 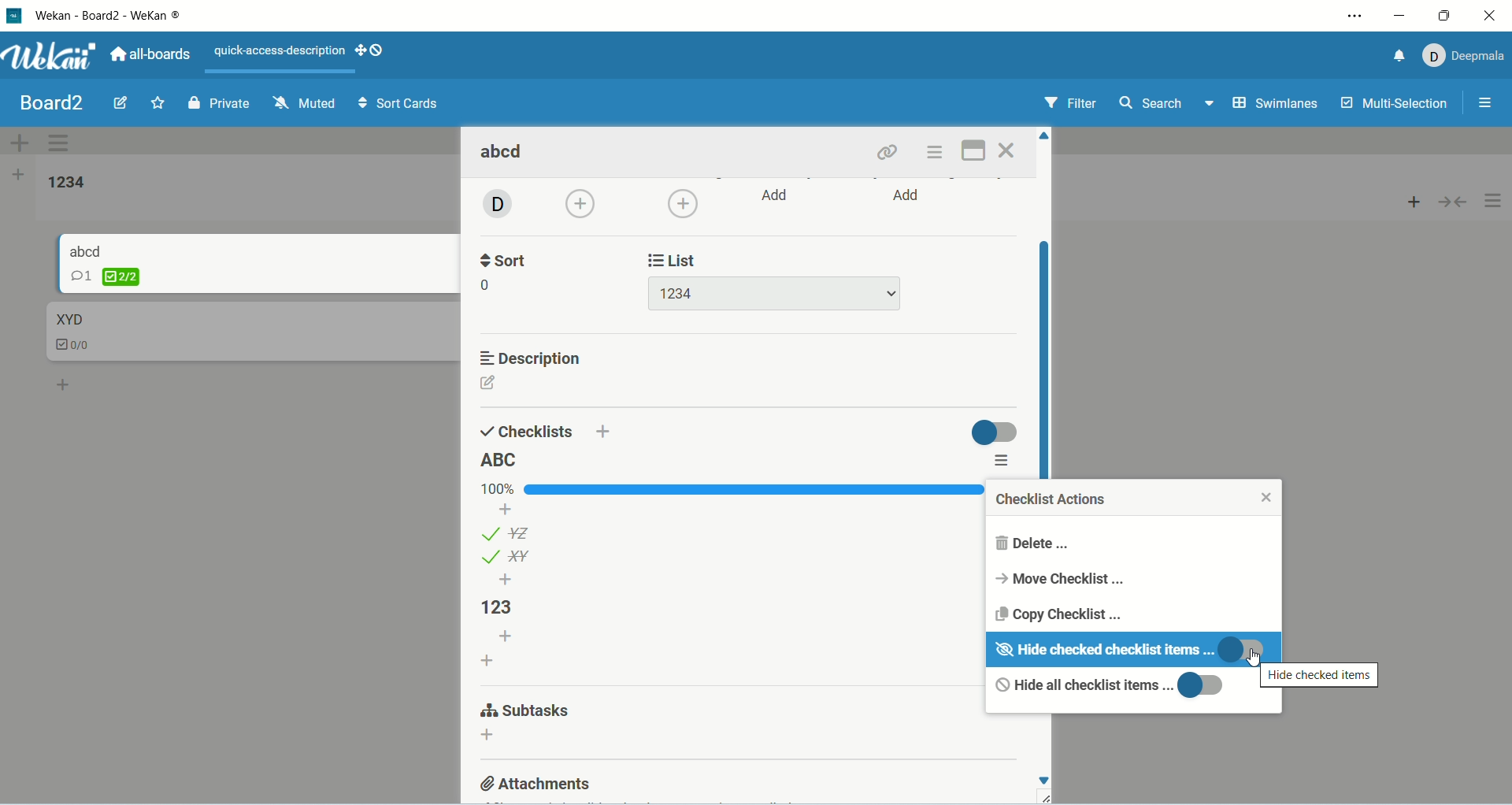 I want to click on add, so click(x=909, y=197).